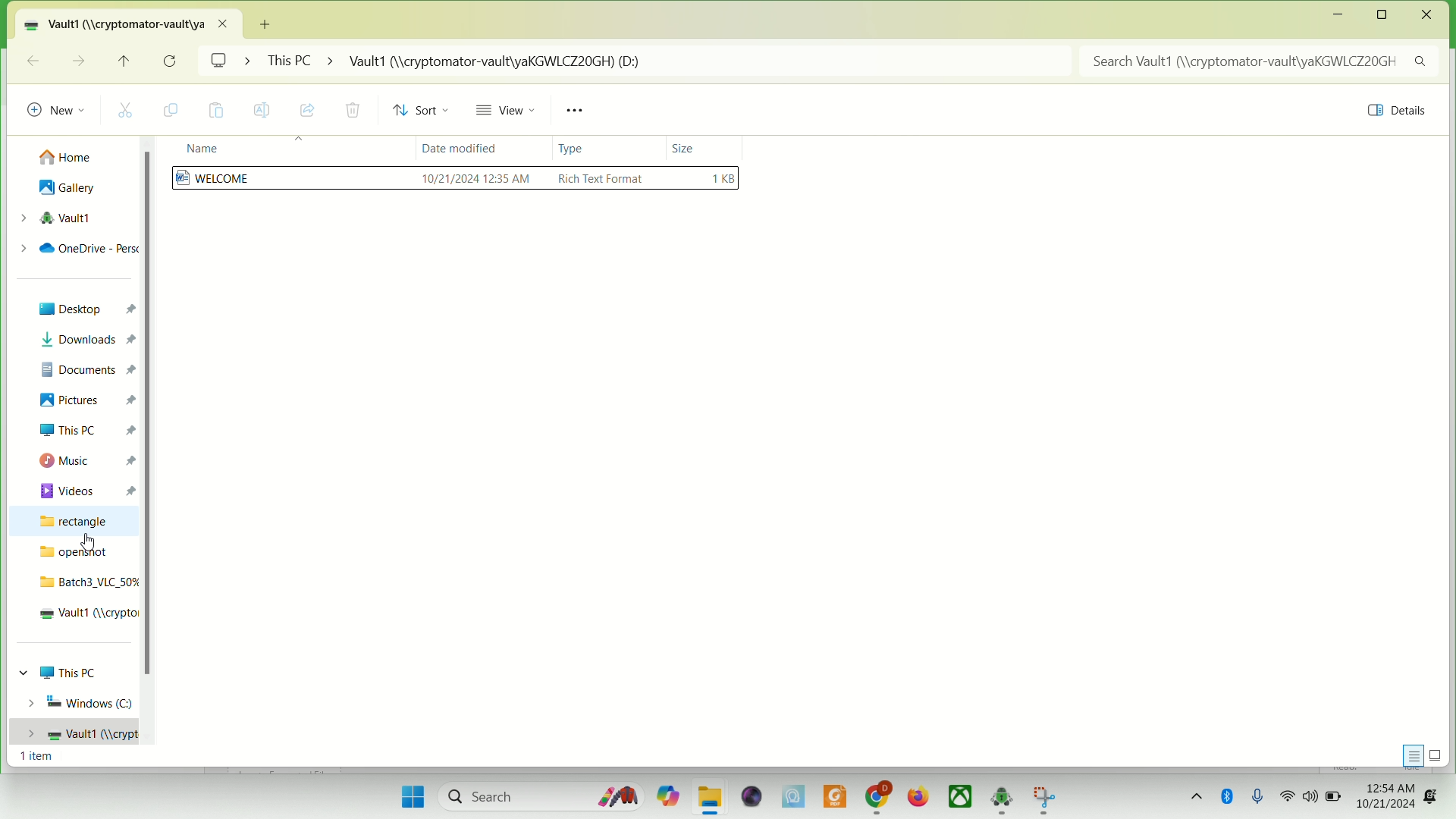 The width and height of the screenshot is (1456, 819). Describe the element at coordinates (75, 247) in the screenshot. I see `onedrive-personal` at that location.